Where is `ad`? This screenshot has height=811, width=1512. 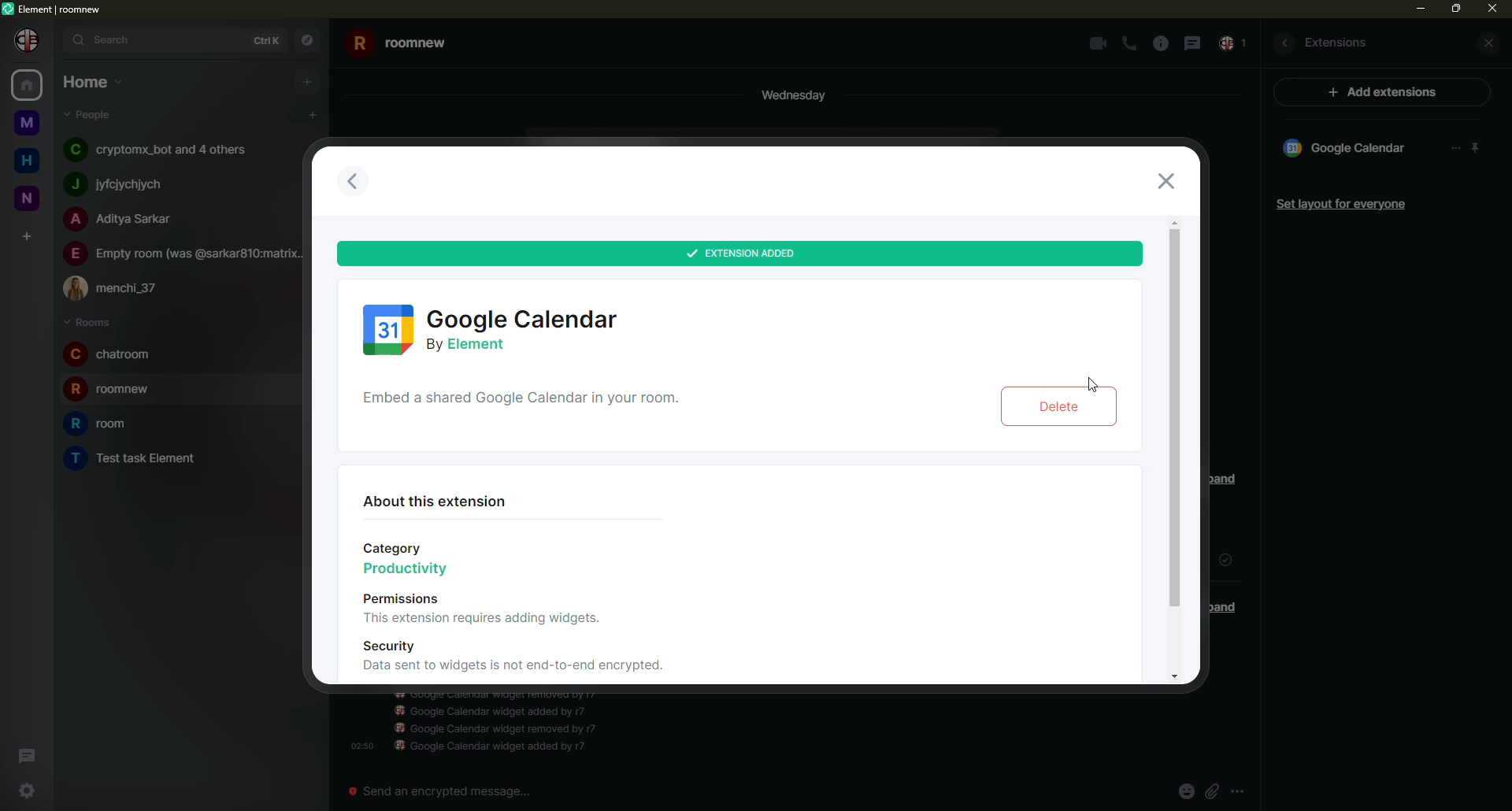
ad is located at coordinates (1389, 93).